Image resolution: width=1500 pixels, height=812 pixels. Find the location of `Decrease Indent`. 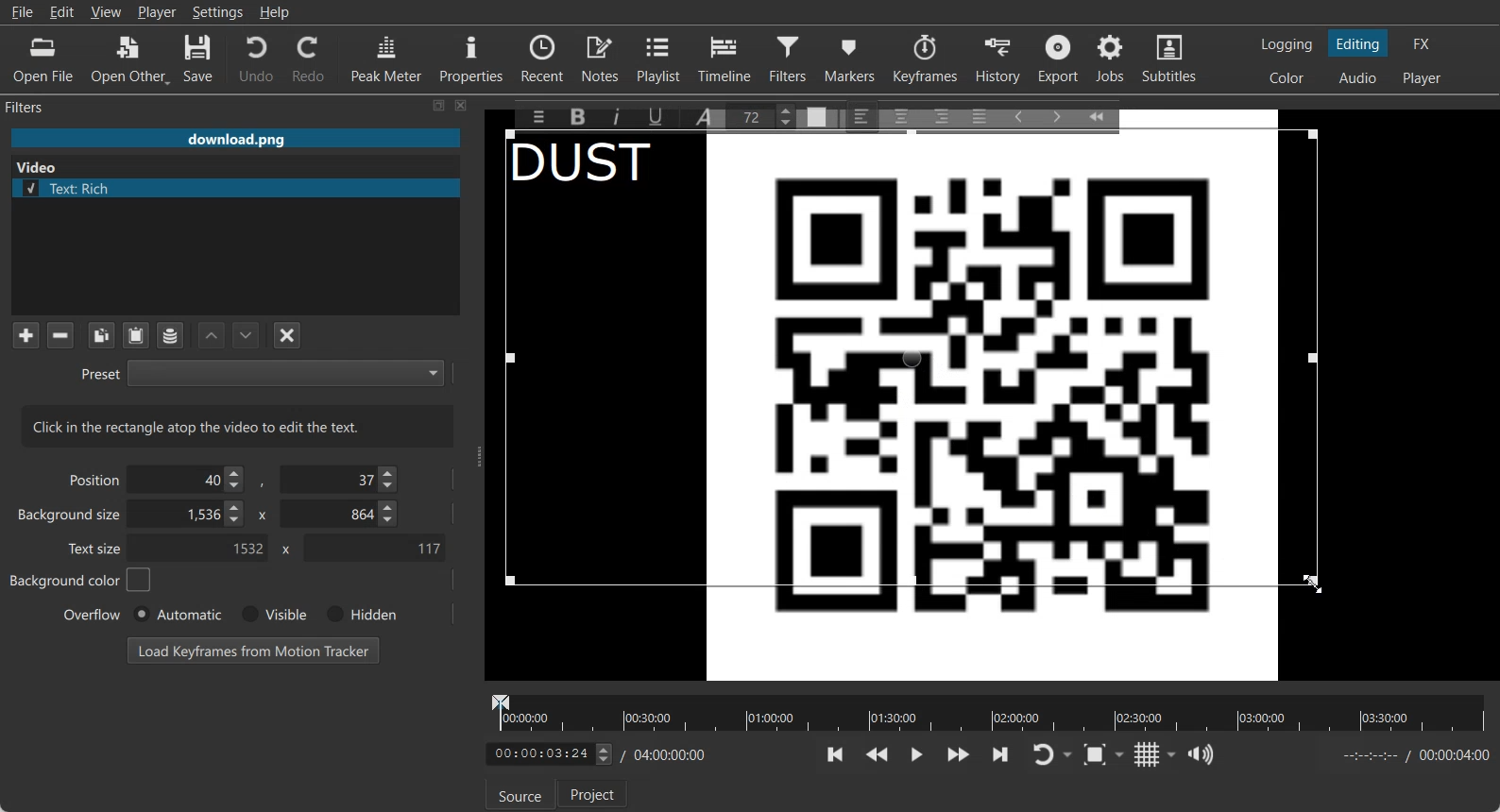

Decrease Indent is located at coordinates (1018, 115).